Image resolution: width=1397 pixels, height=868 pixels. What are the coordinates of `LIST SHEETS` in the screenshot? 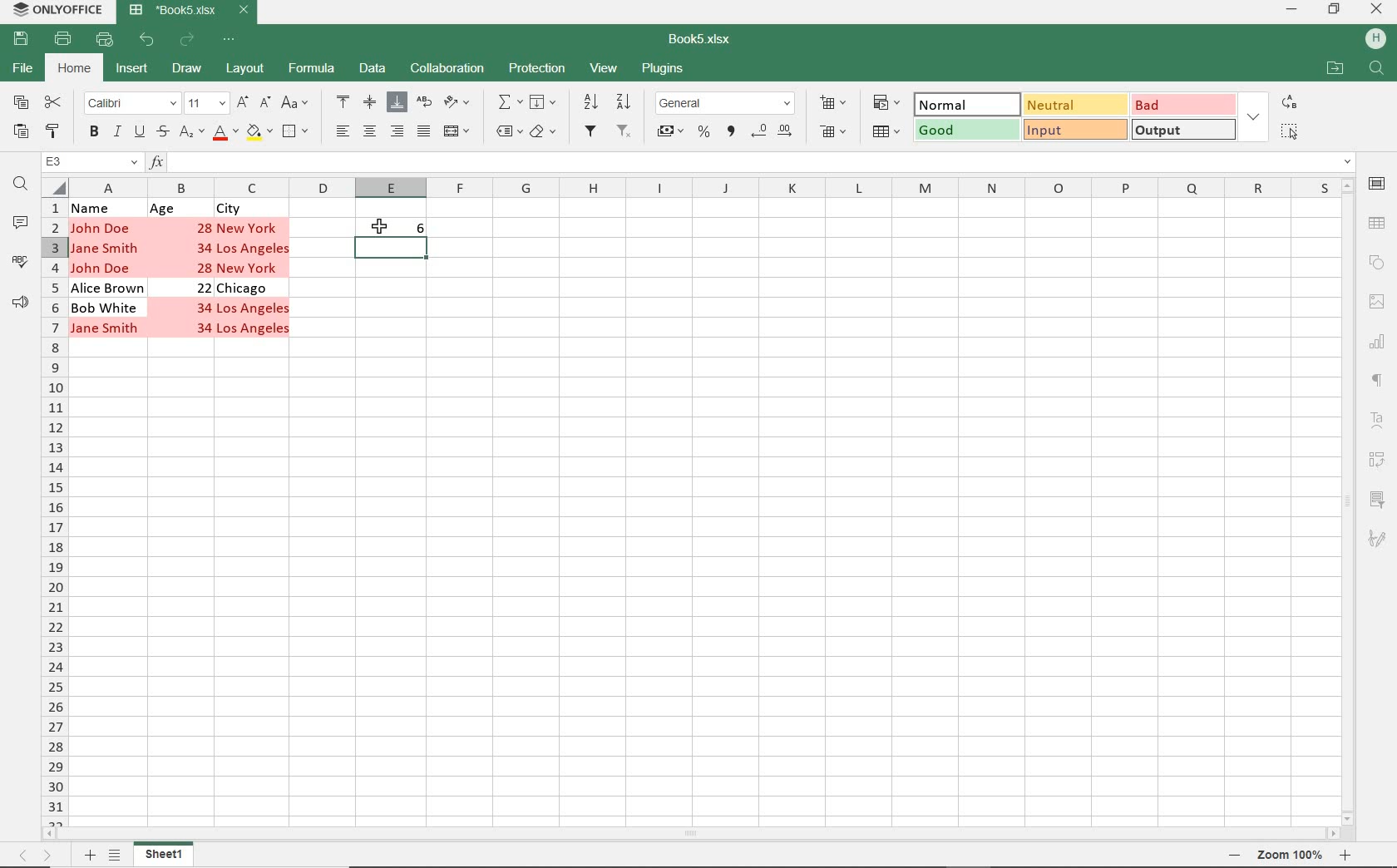 It's located at (116, 856).